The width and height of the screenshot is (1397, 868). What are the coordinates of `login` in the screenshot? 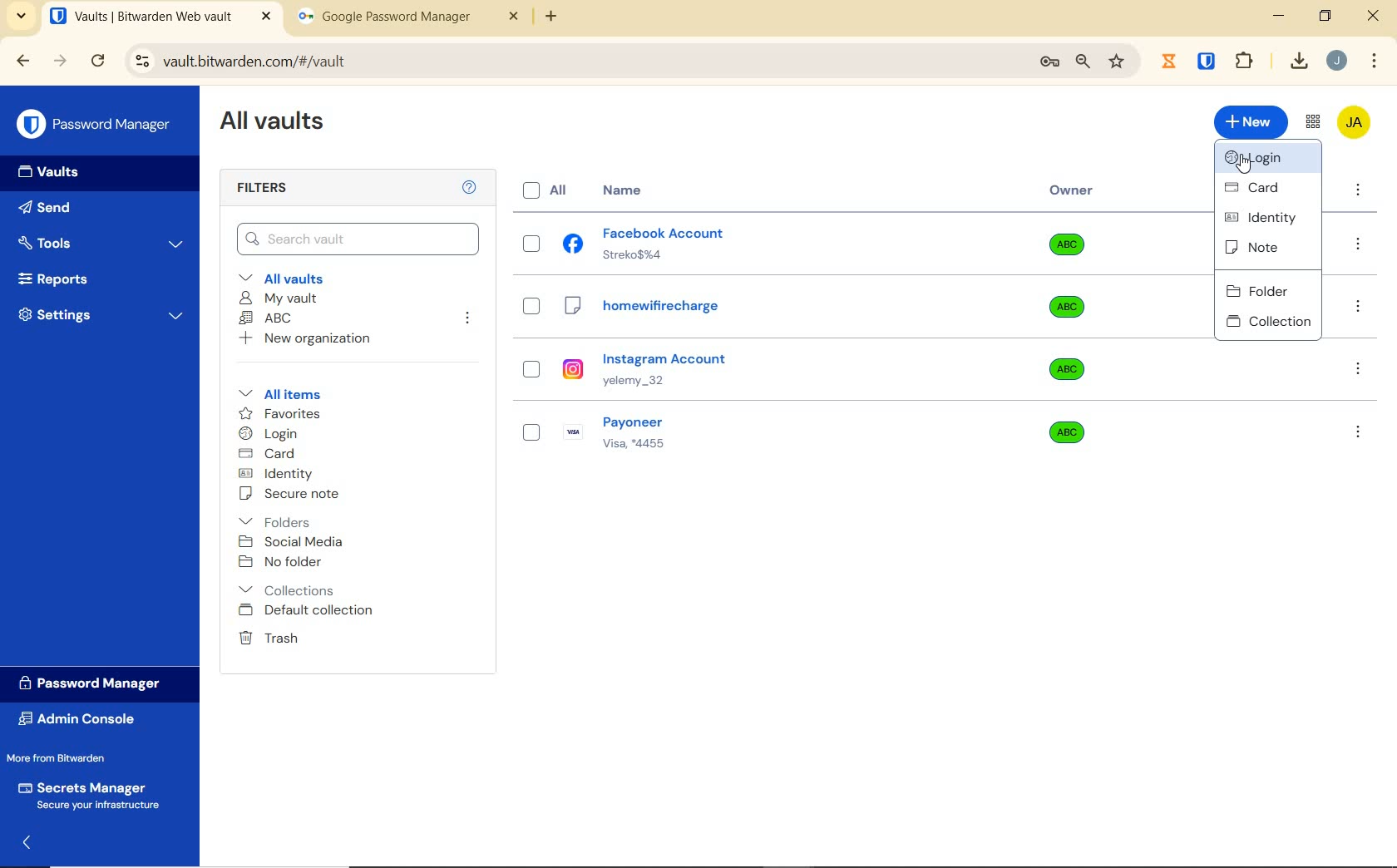 It's located at (1258, 157).